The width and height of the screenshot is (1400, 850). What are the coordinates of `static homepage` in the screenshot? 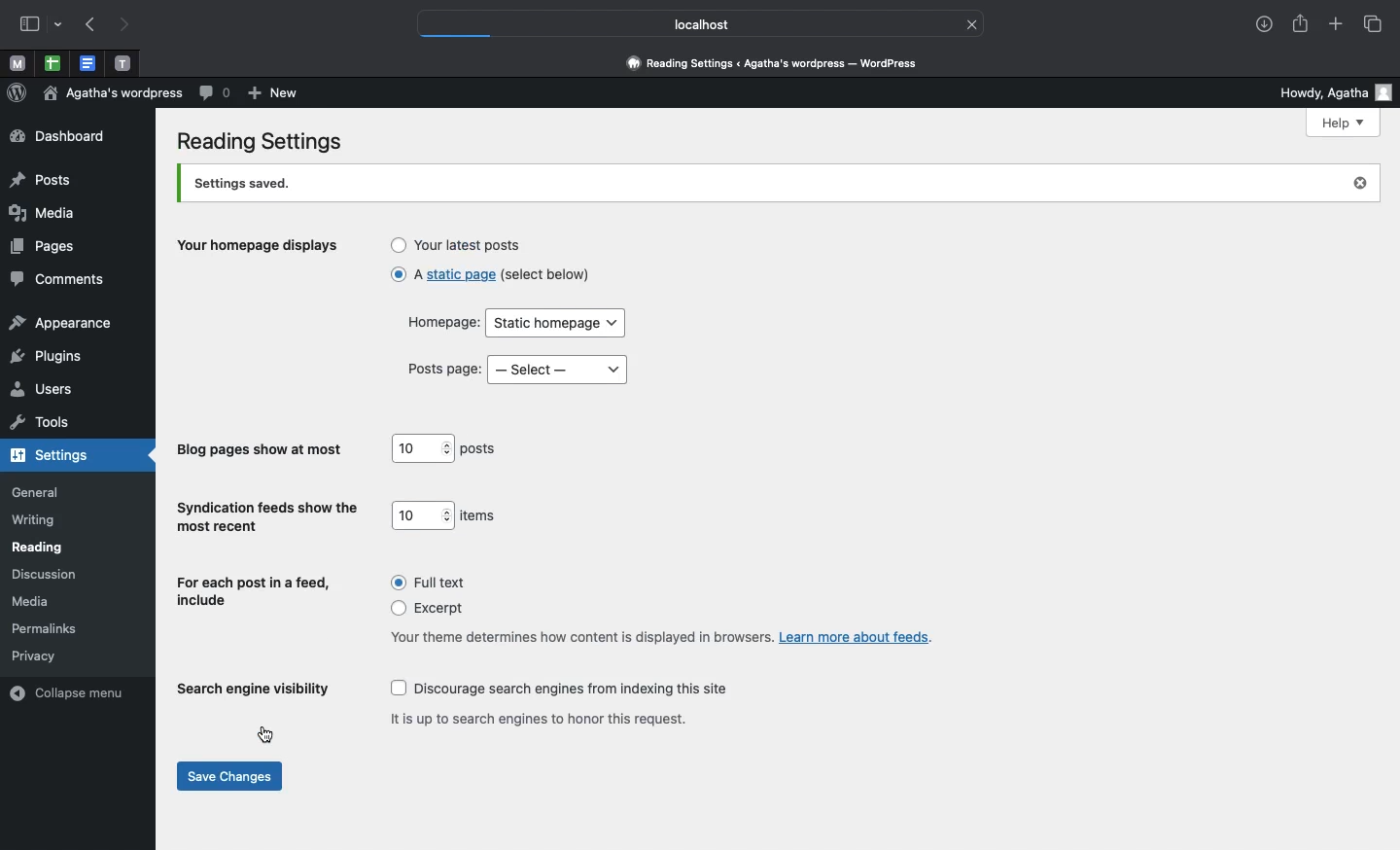 It's located at (557, 324).